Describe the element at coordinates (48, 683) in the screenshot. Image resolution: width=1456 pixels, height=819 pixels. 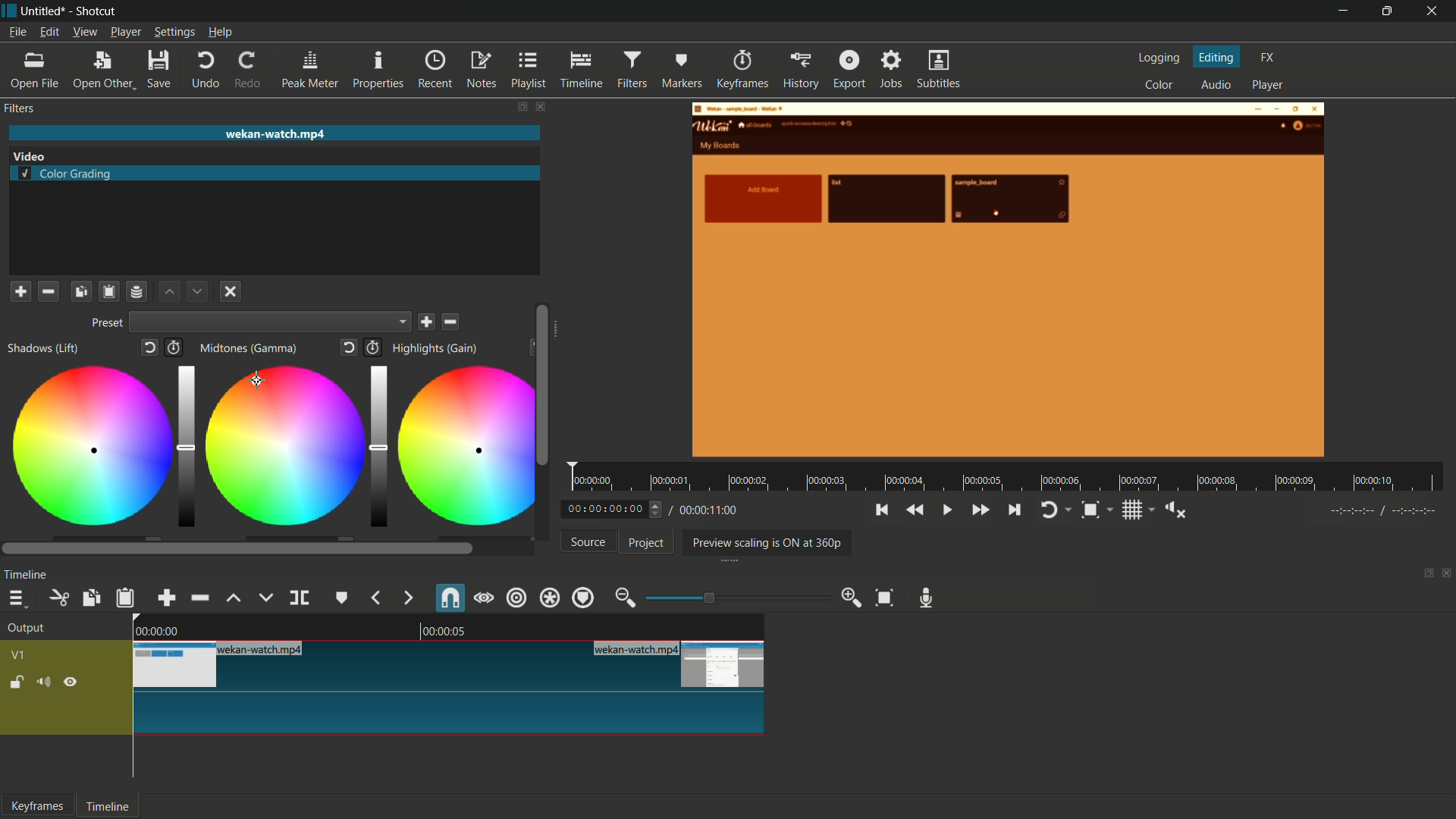
I see `mute` at that location.